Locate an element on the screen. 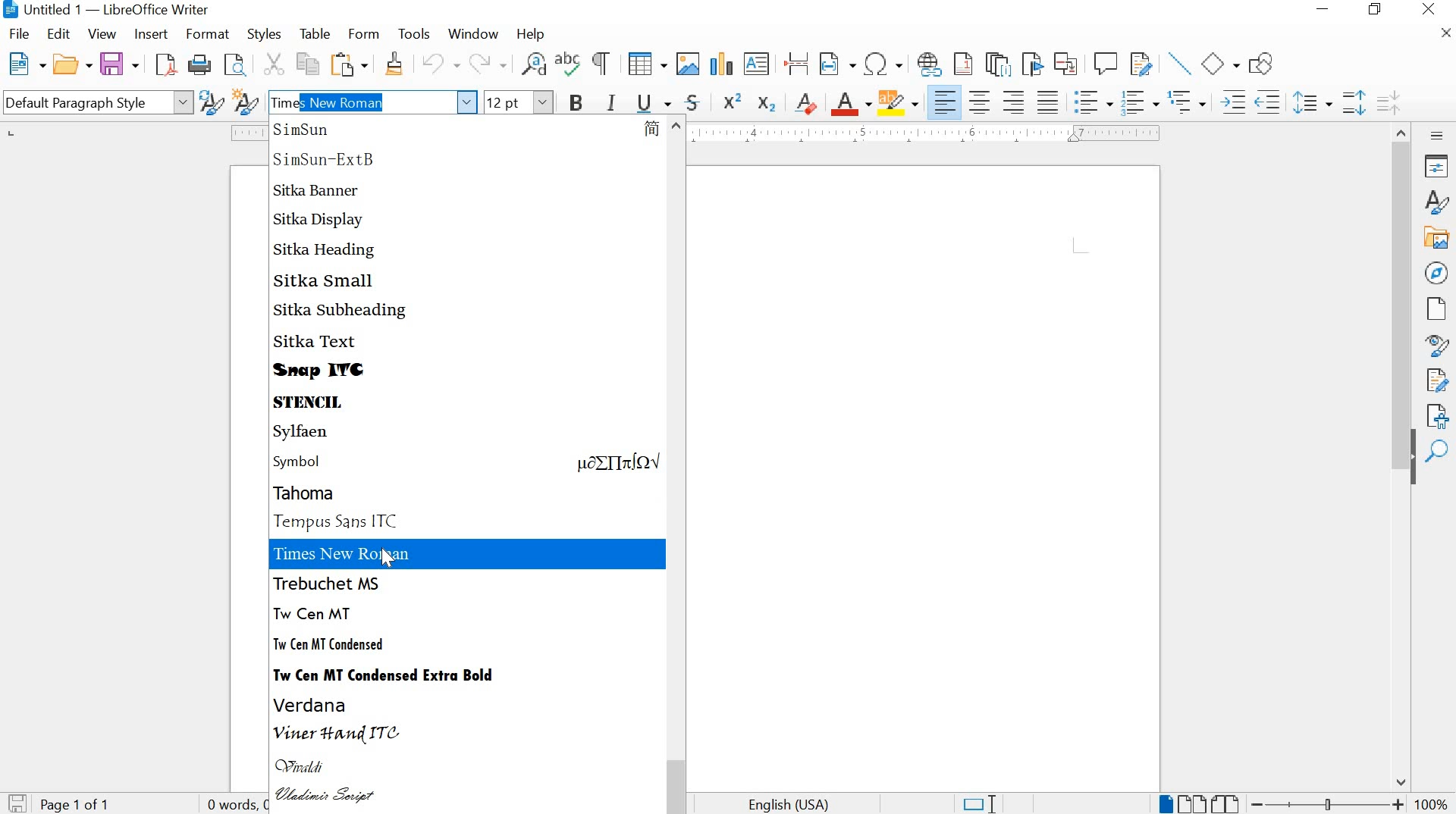 This screenshot has height=814, width=1456. ZOOM OUT OR ZOOM IN is located at coordinates (1328, 803).